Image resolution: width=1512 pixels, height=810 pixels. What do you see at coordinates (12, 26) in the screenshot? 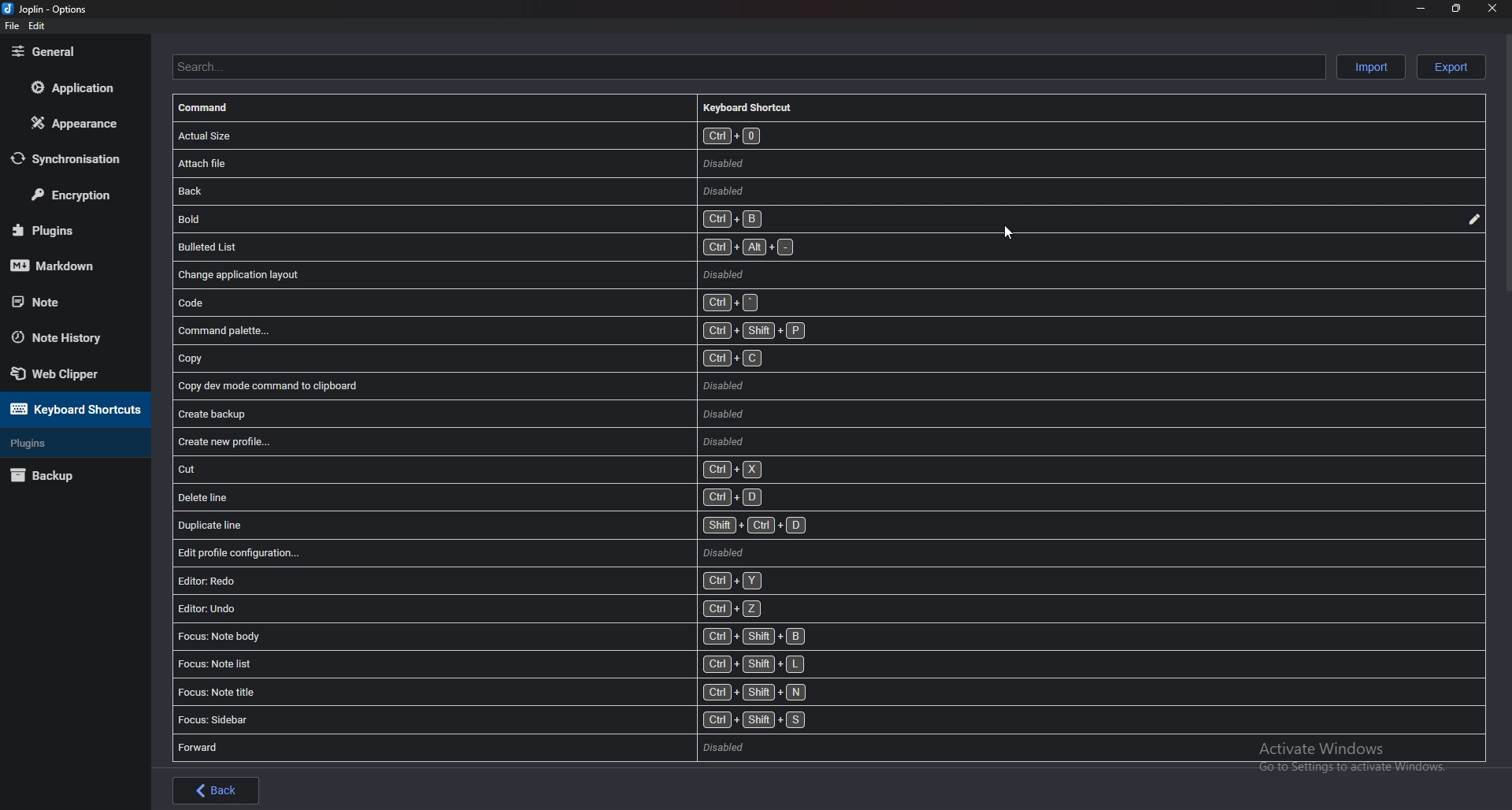
I see `File` at bounding box center [12, 26].